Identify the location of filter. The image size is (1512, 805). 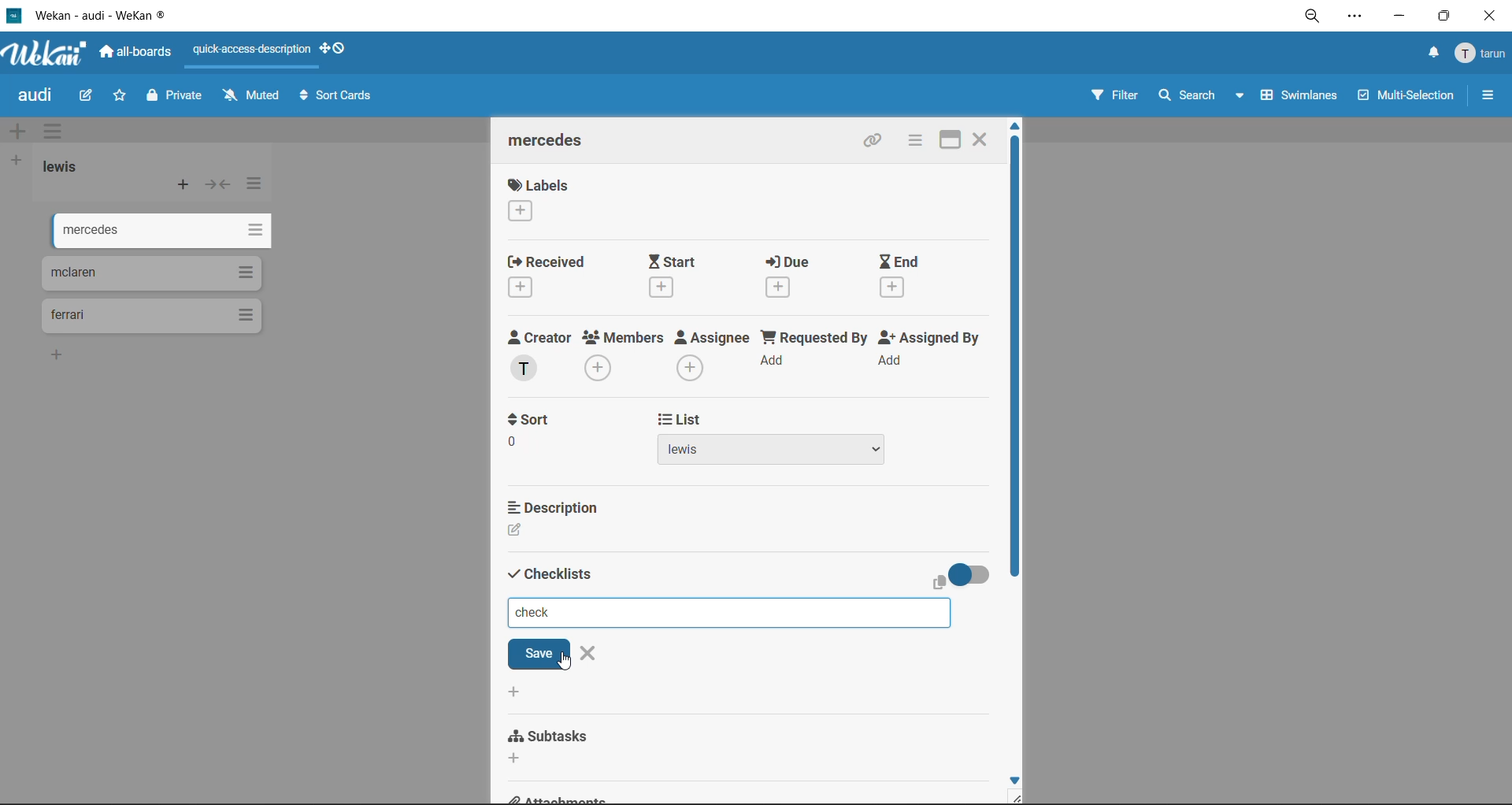
(1113, 98).